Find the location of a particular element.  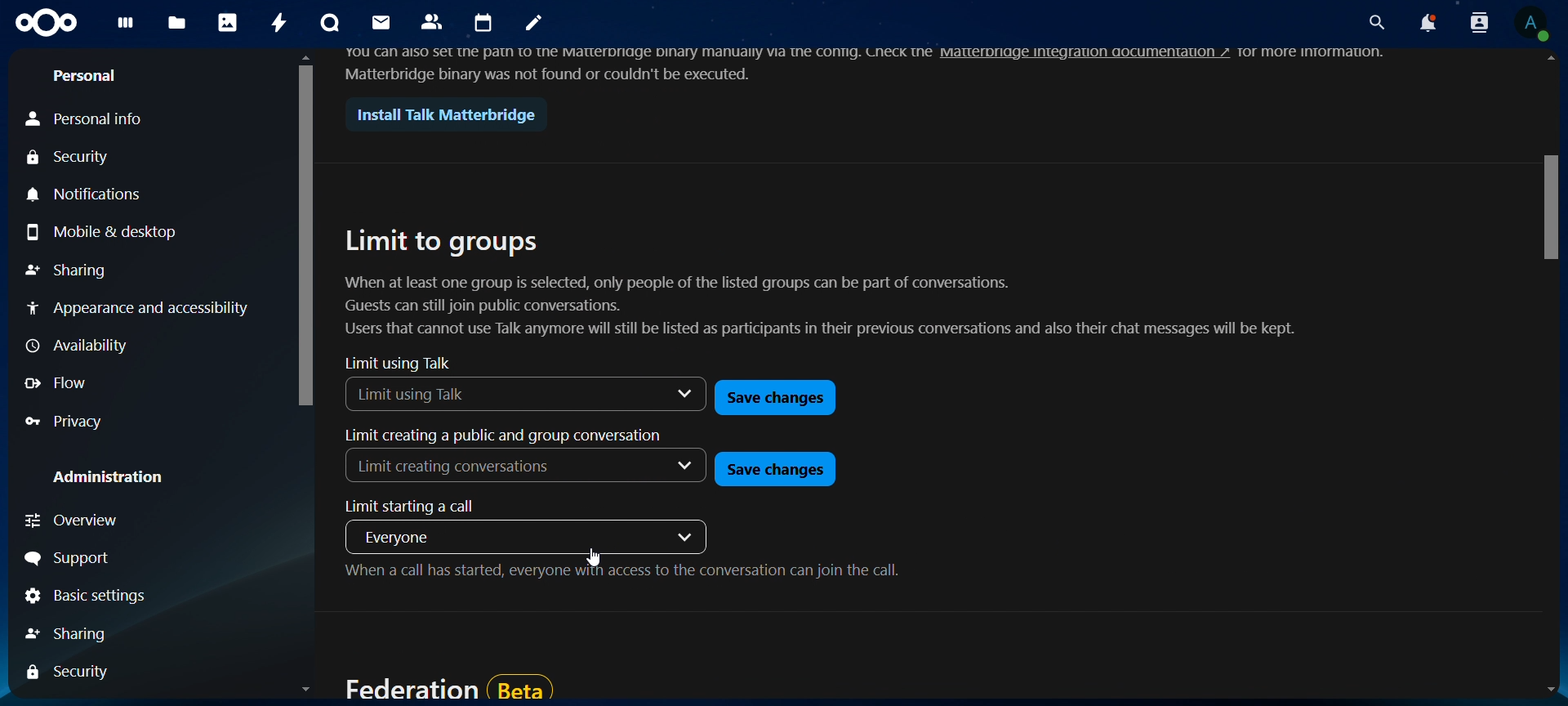

Administration is located at coordinates (97, 480).